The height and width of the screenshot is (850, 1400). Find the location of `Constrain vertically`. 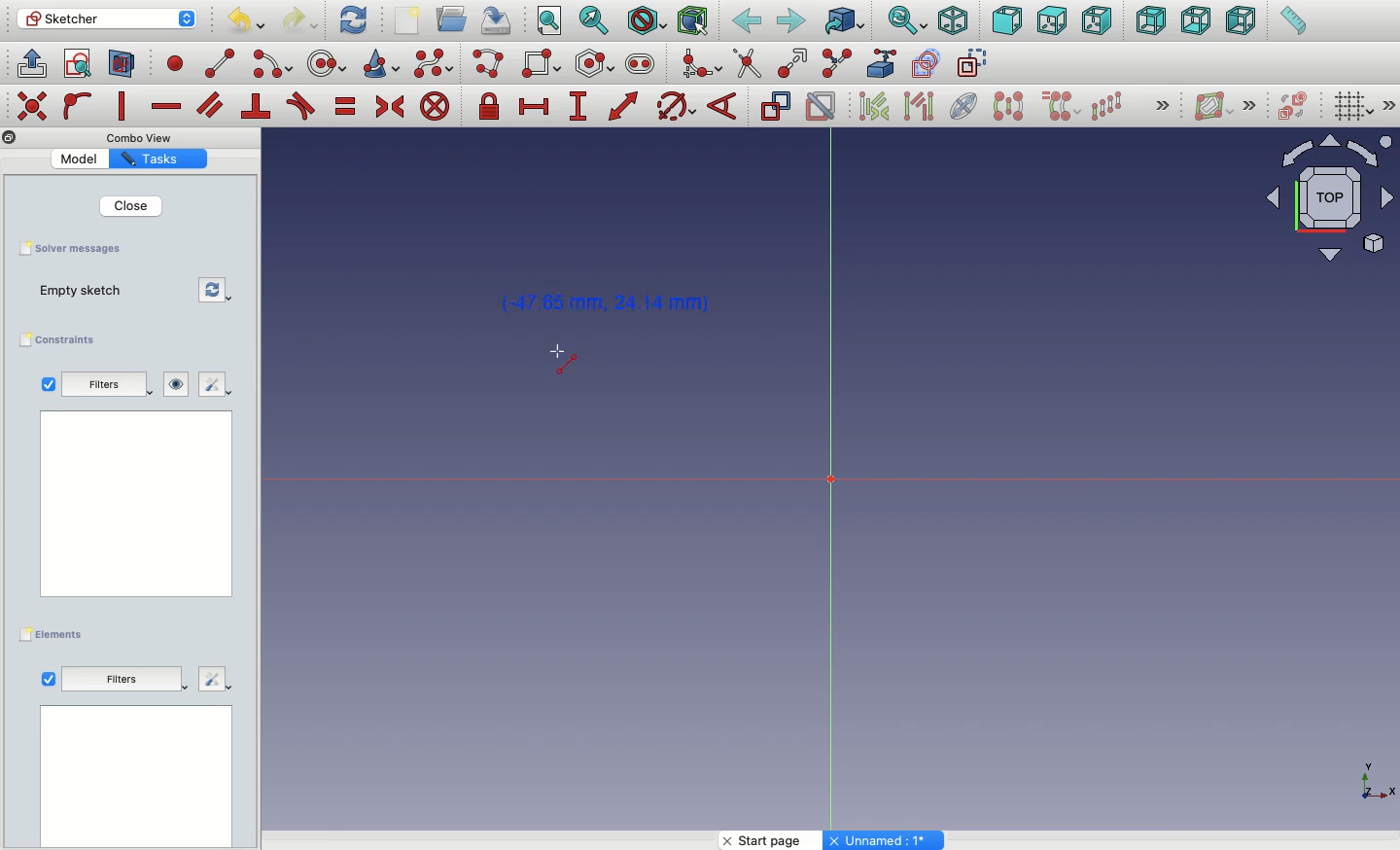

Constrain vertically is located at coordinates (124, 106).